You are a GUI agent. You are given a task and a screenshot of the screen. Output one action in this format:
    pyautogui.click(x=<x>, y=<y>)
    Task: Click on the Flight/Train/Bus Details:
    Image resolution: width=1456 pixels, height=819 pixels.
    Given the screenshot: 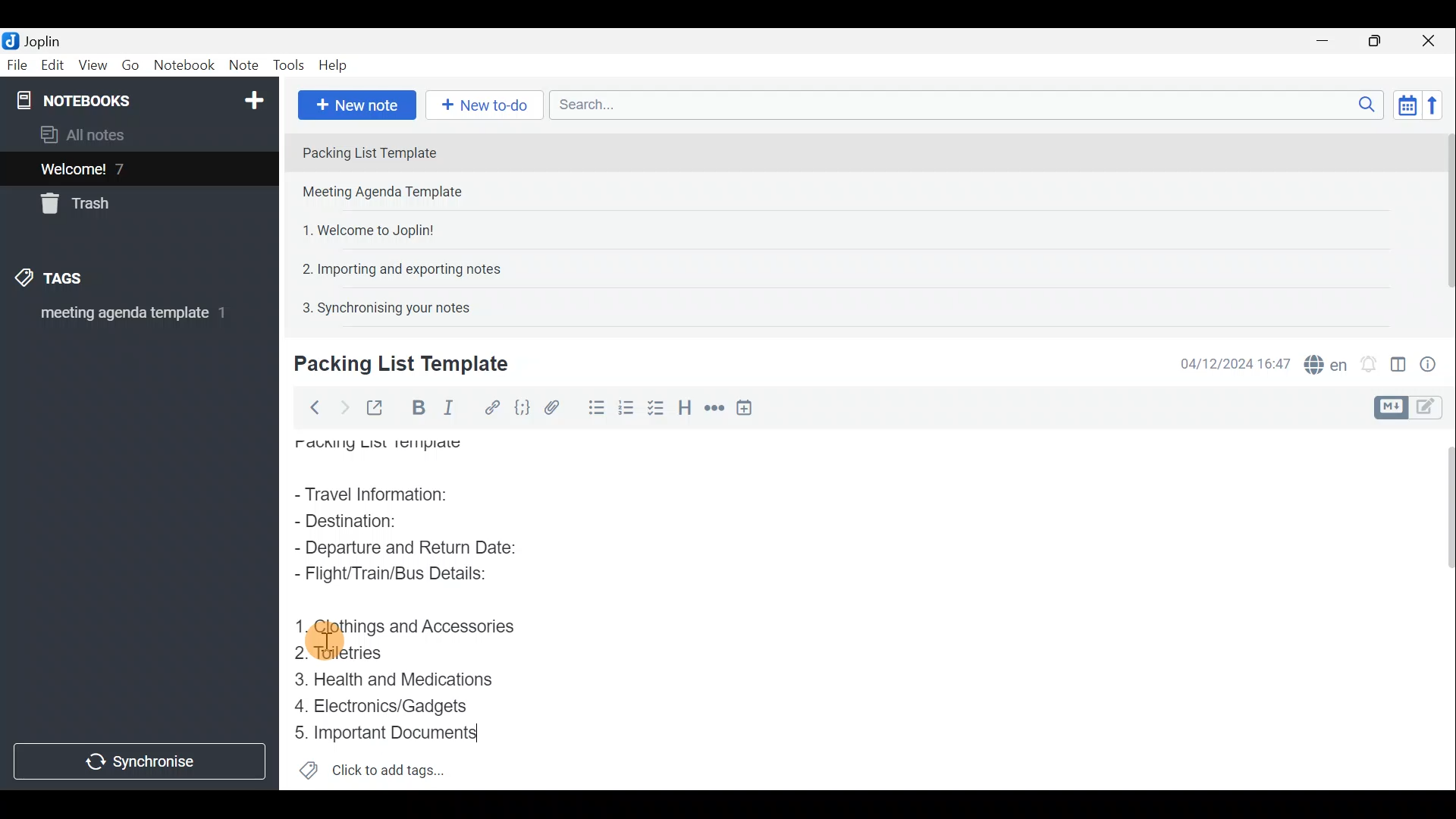 What is the action you would take?
    pyautogui.click(x=403, y=577)
    